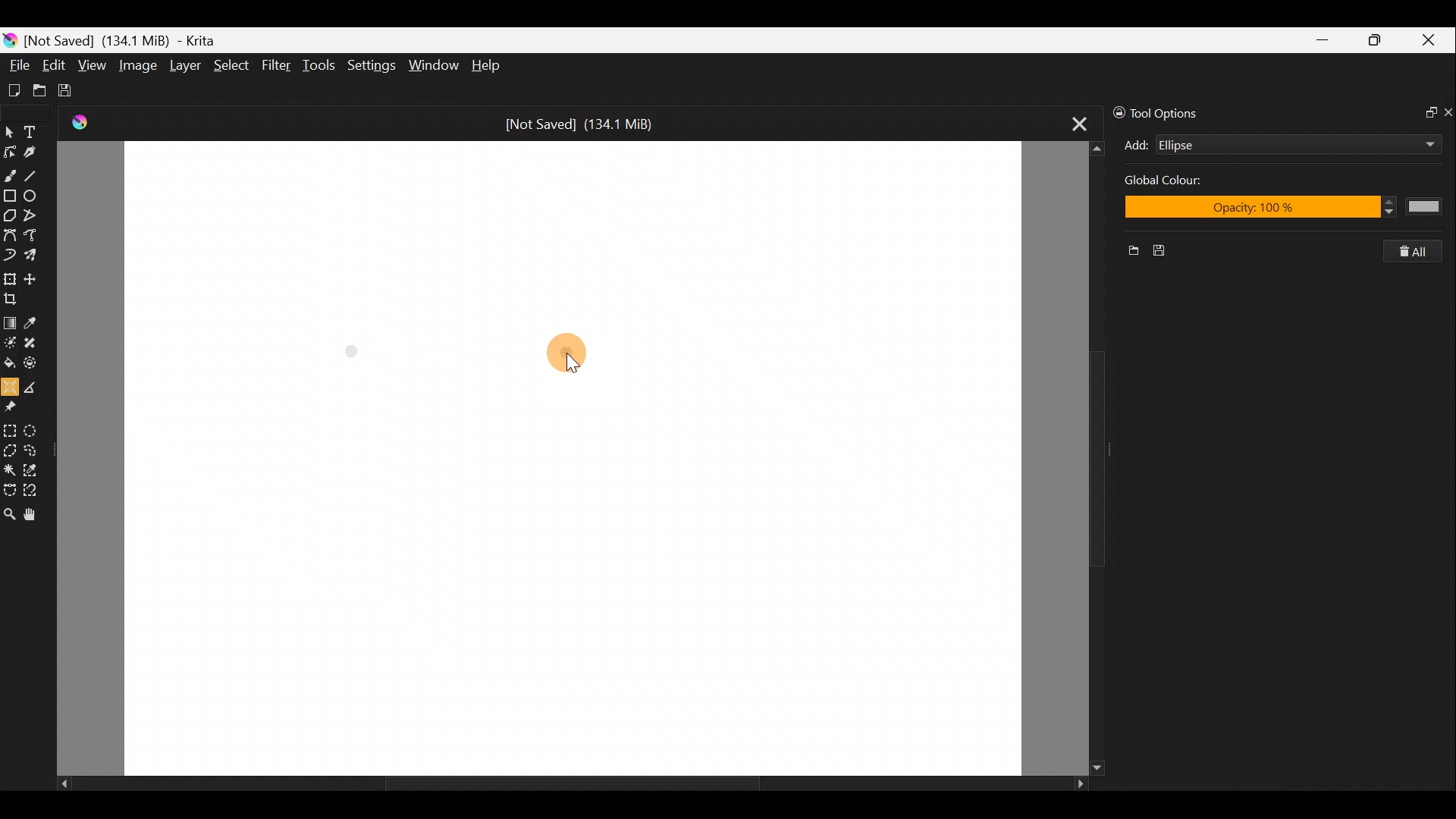 This screenshot has height=819, width=1456. I want to click on Freehand path tool, so click(31, 236).